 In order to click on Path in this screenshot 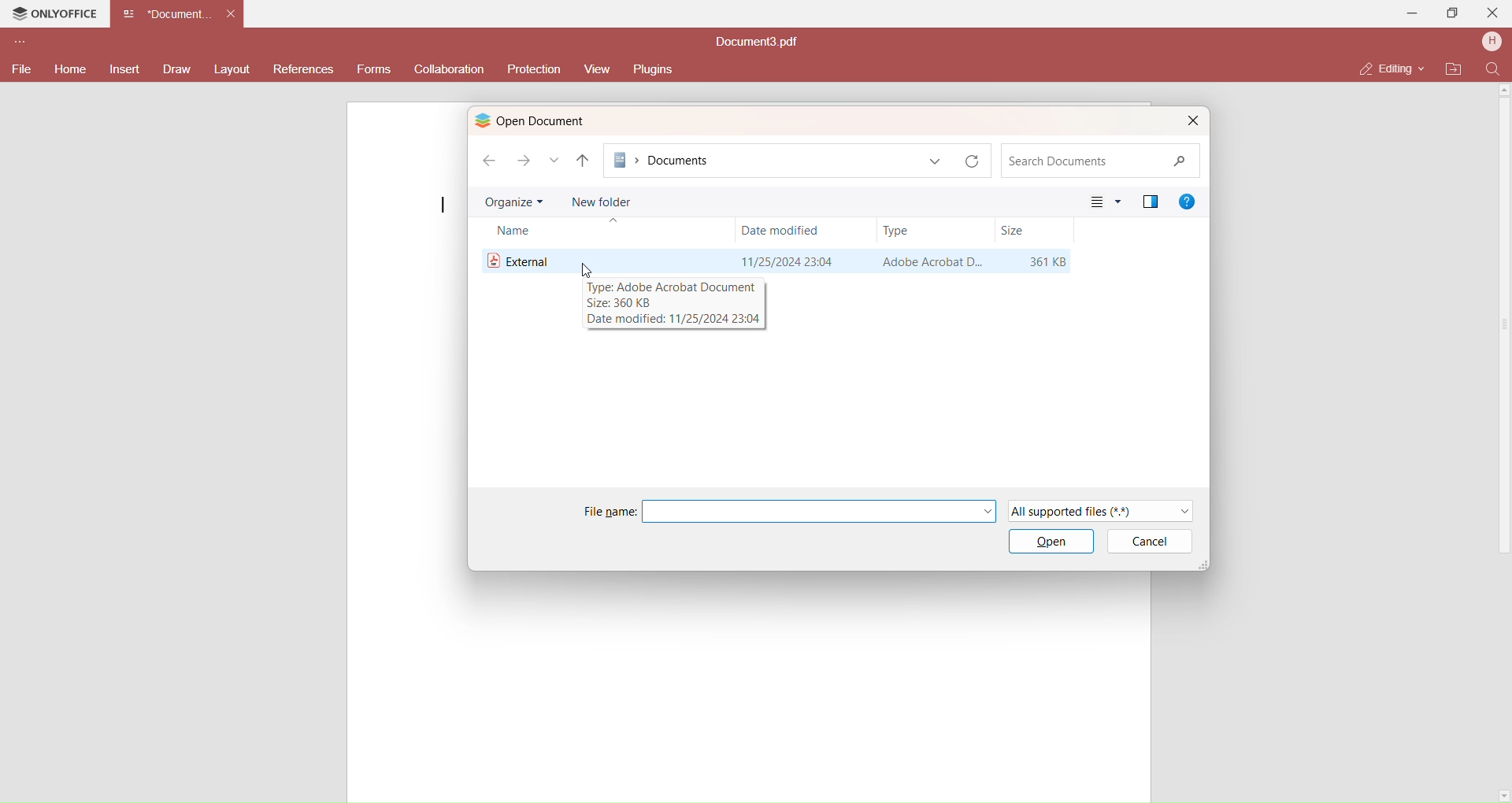, I will do `click(764, 160)`.